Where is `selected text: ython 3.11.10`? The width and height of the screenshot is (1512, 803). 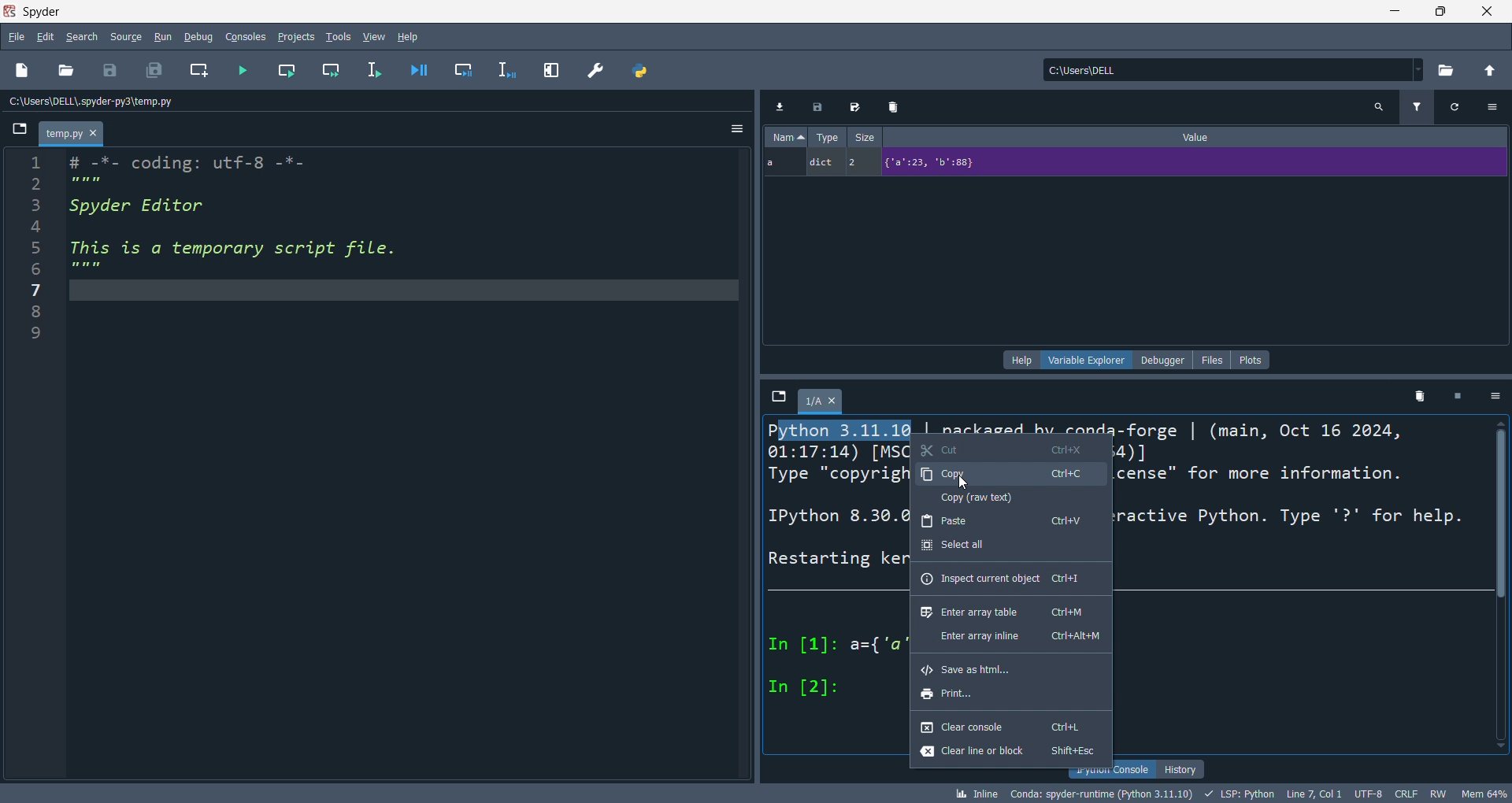 selected text: ython 3.11.10 is located at coordinates (843, 430).